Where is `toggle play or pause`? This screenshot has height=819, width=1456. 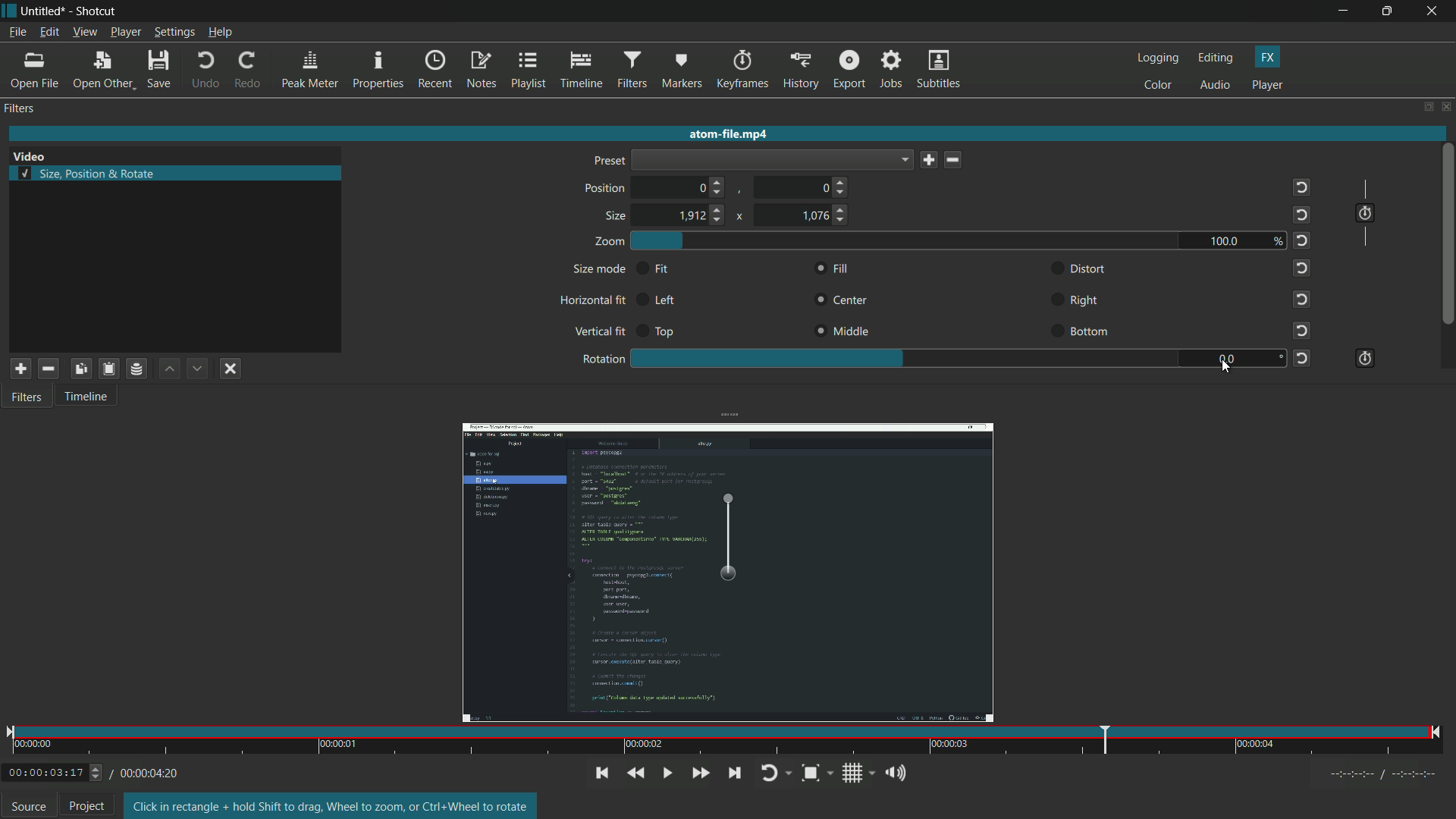 toggle play or pause is located at coordinates (667, 774).